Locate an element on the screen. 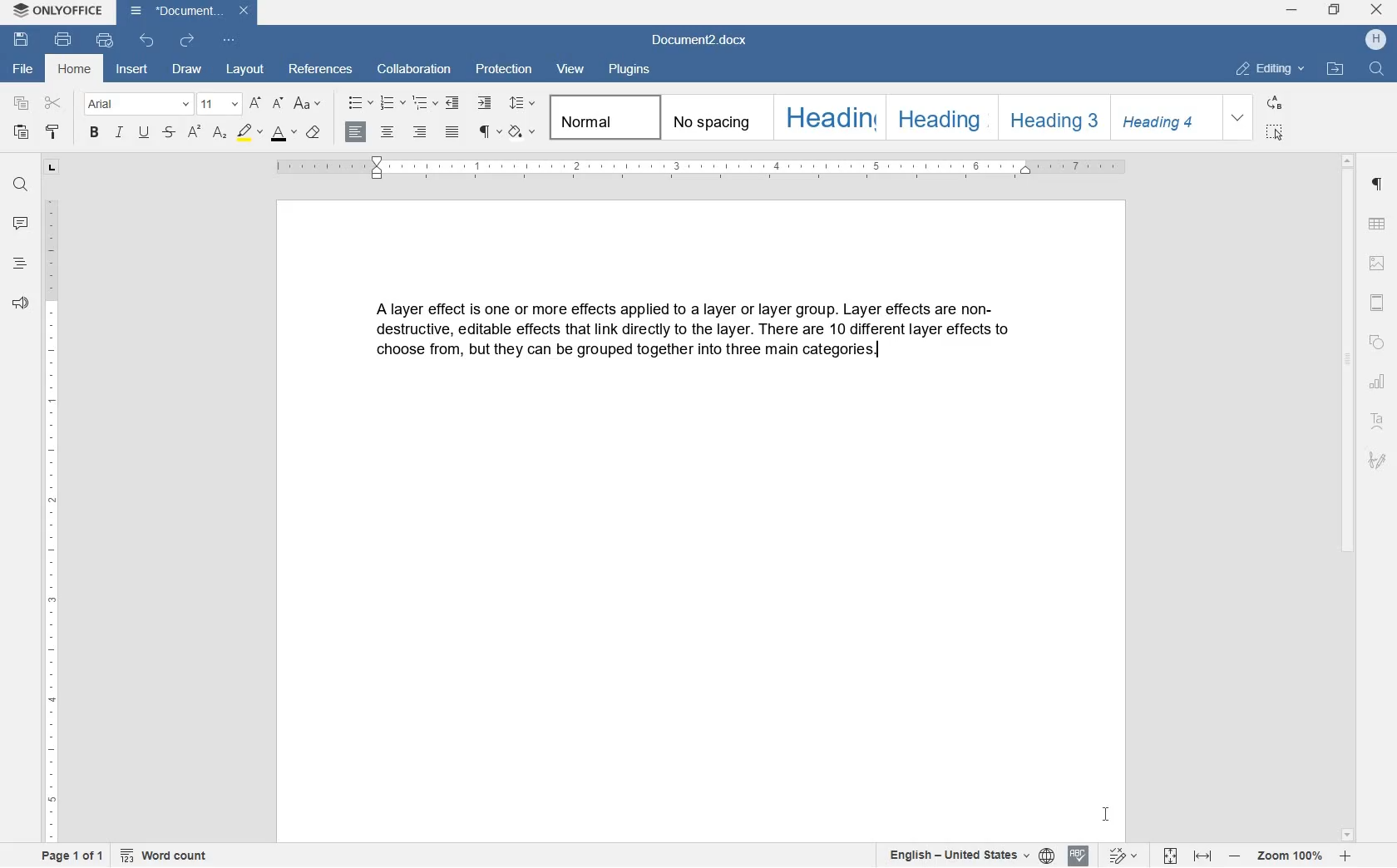 The width and height of the screenshot is (1397, 868). CUSTOMIZE QUICK ACCESS TOOLBAR is located at coordinates (229, 40).